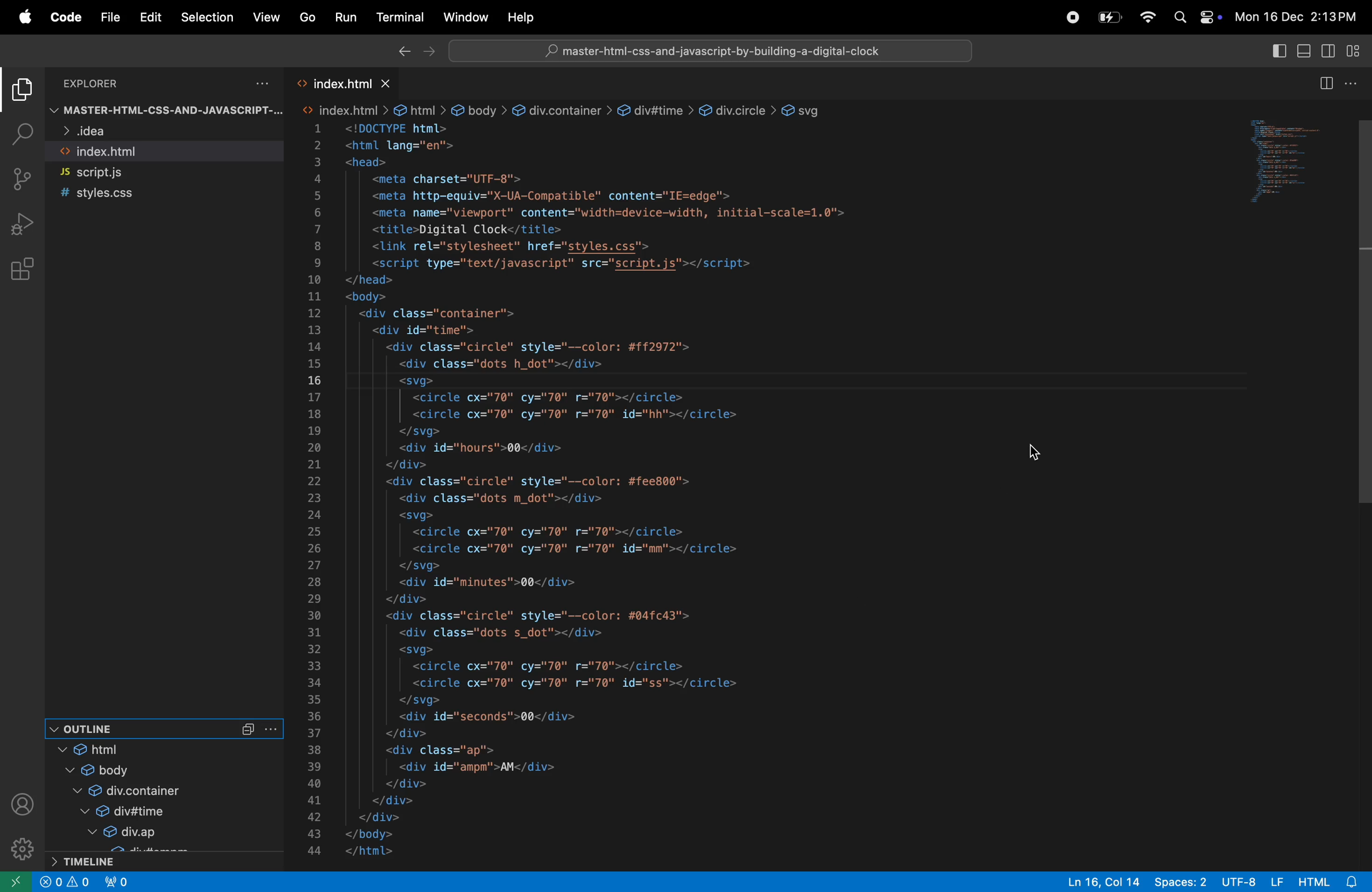  What do you see at coordinates (1331, 52) in the screenshot?
I see `toggle secondarside bar` at bounding box center [1331, 52].